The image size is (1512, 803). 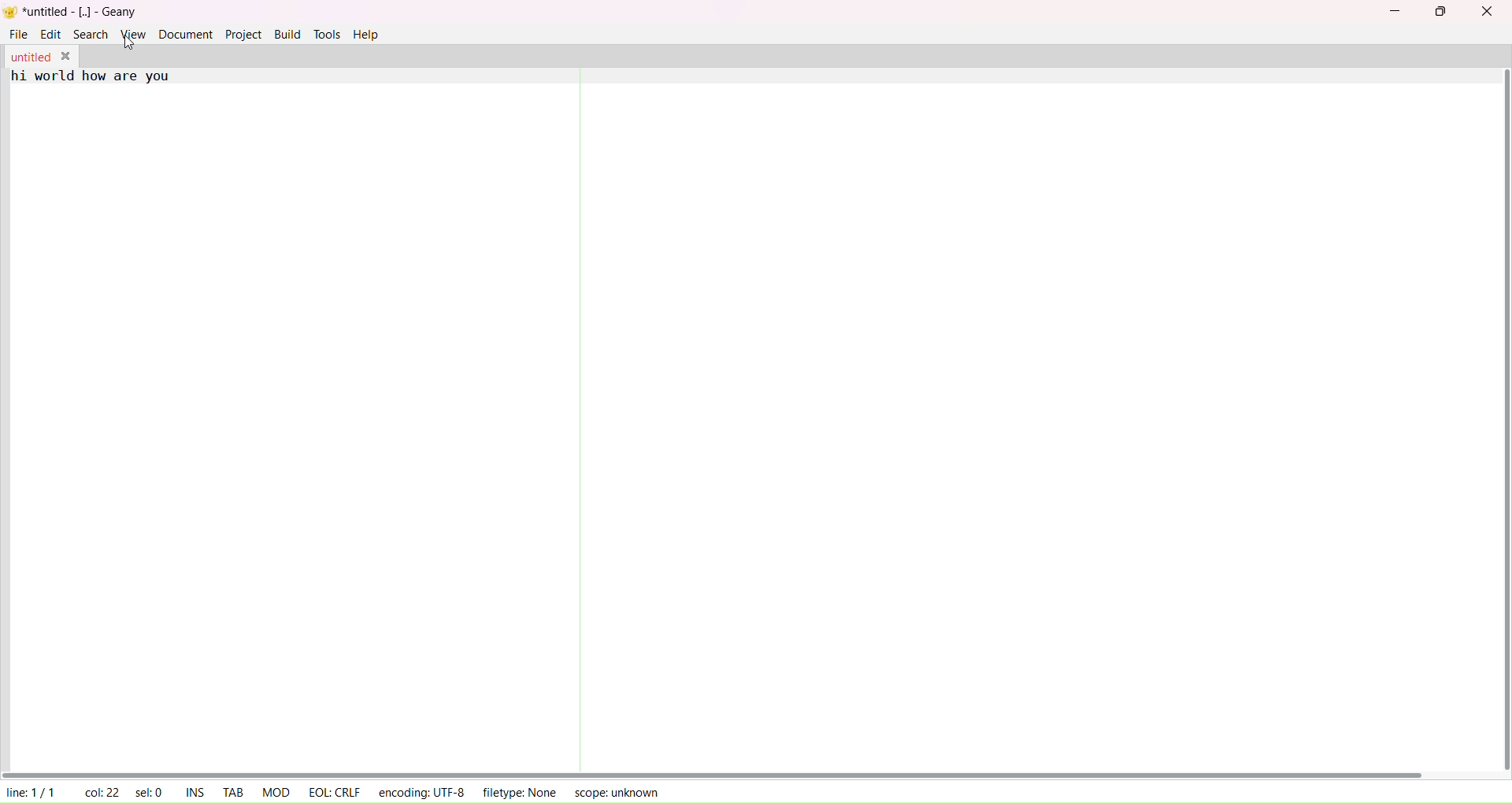 What do you see at coordinates (612, 791) in the screenshot?
I see `scope:unknown` at bounding box center [612, 791].